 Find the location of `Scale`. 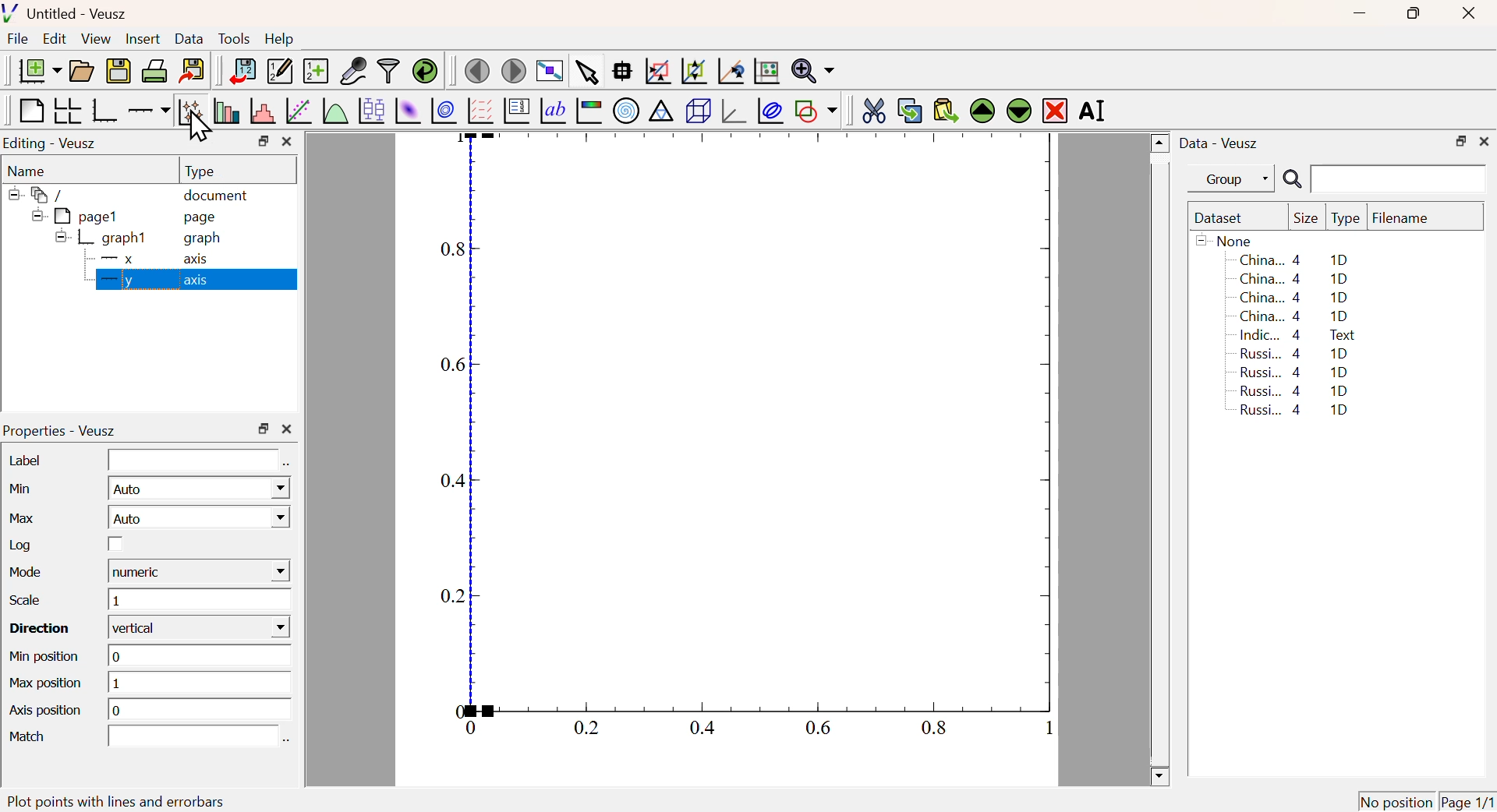

Scale is located at coordinates (24, 600).